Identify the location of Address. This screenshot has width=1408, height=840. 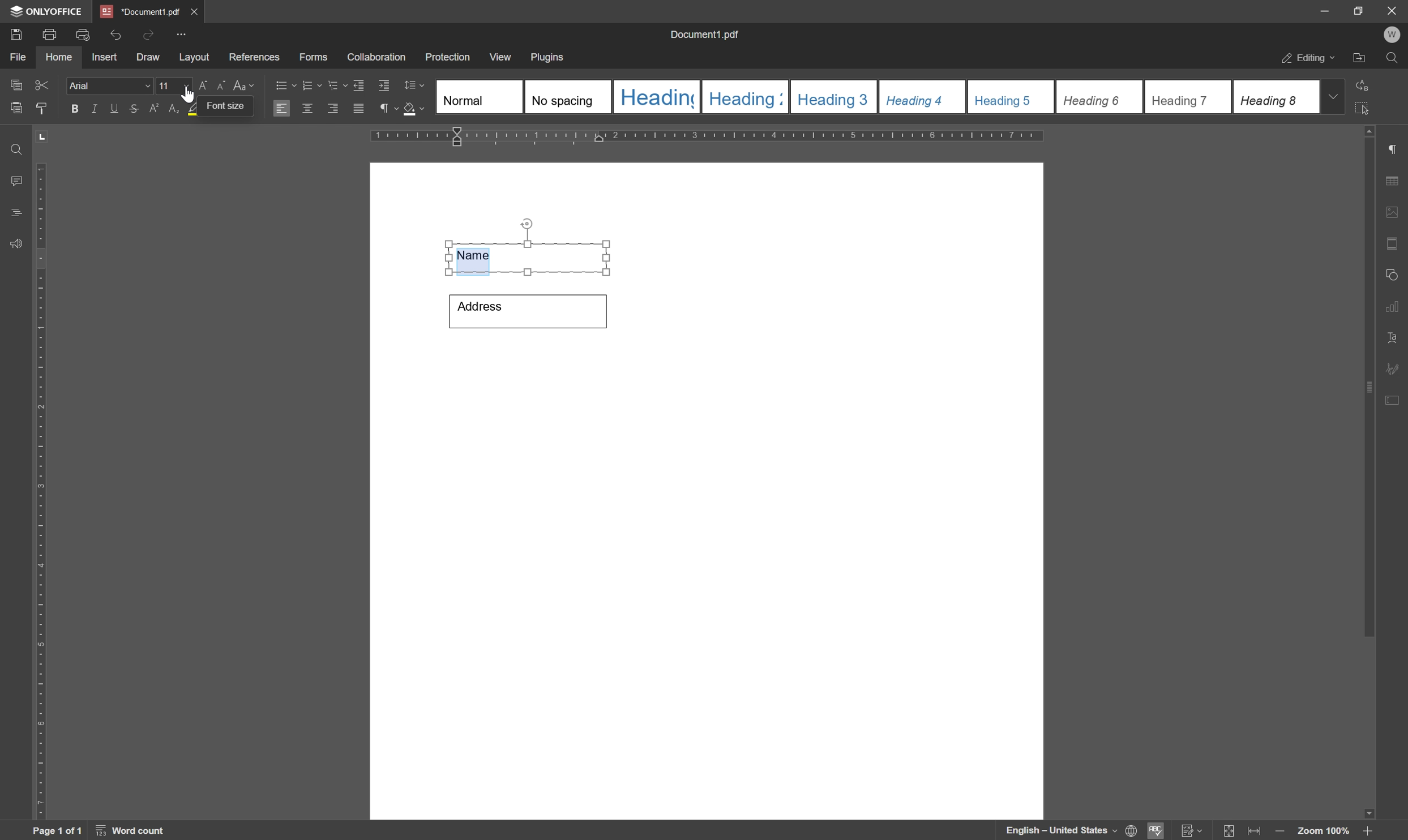
(527, 310).